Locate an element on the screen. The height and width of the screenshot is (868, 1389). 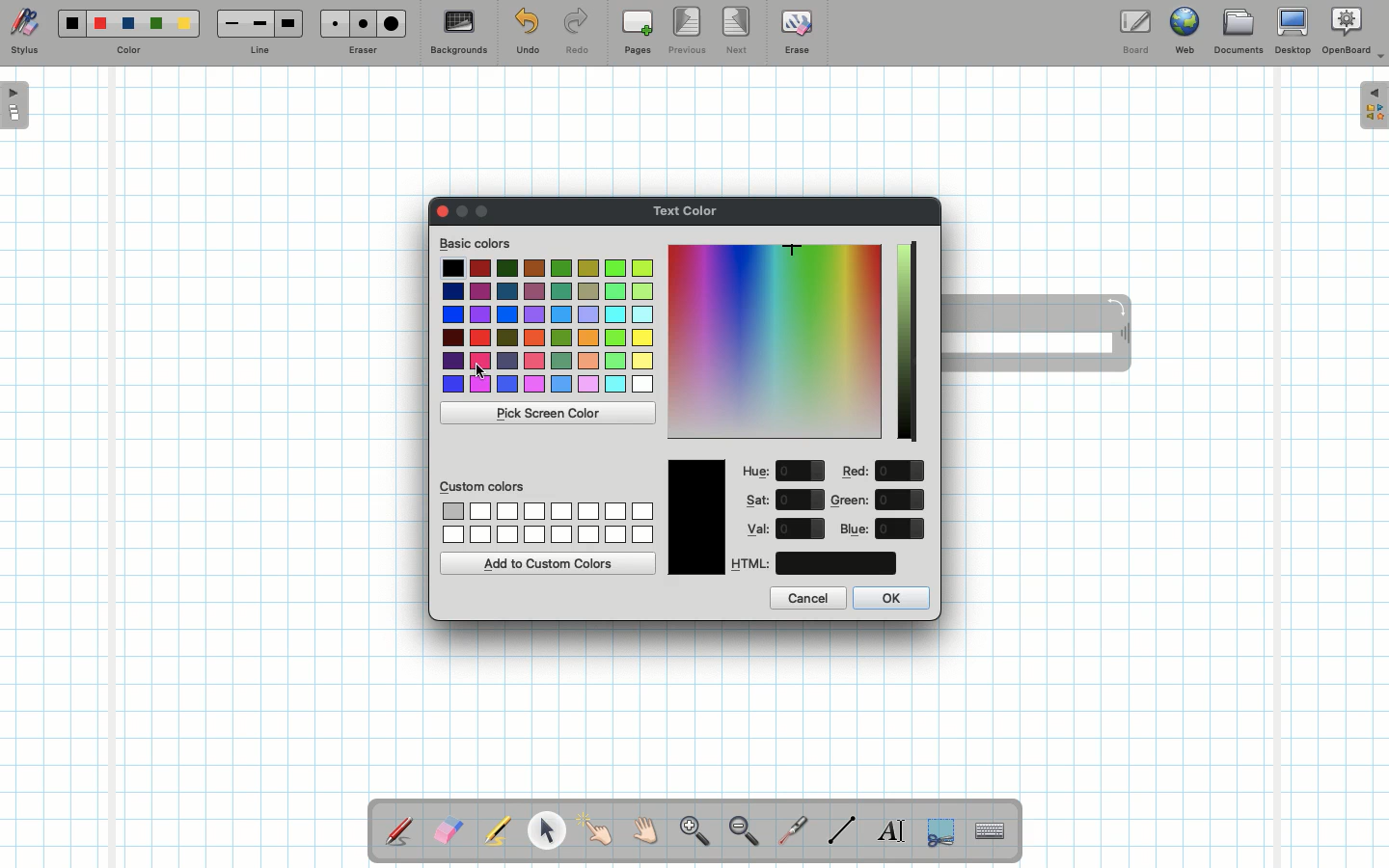
Medium line is located at coordinates (259, 23).